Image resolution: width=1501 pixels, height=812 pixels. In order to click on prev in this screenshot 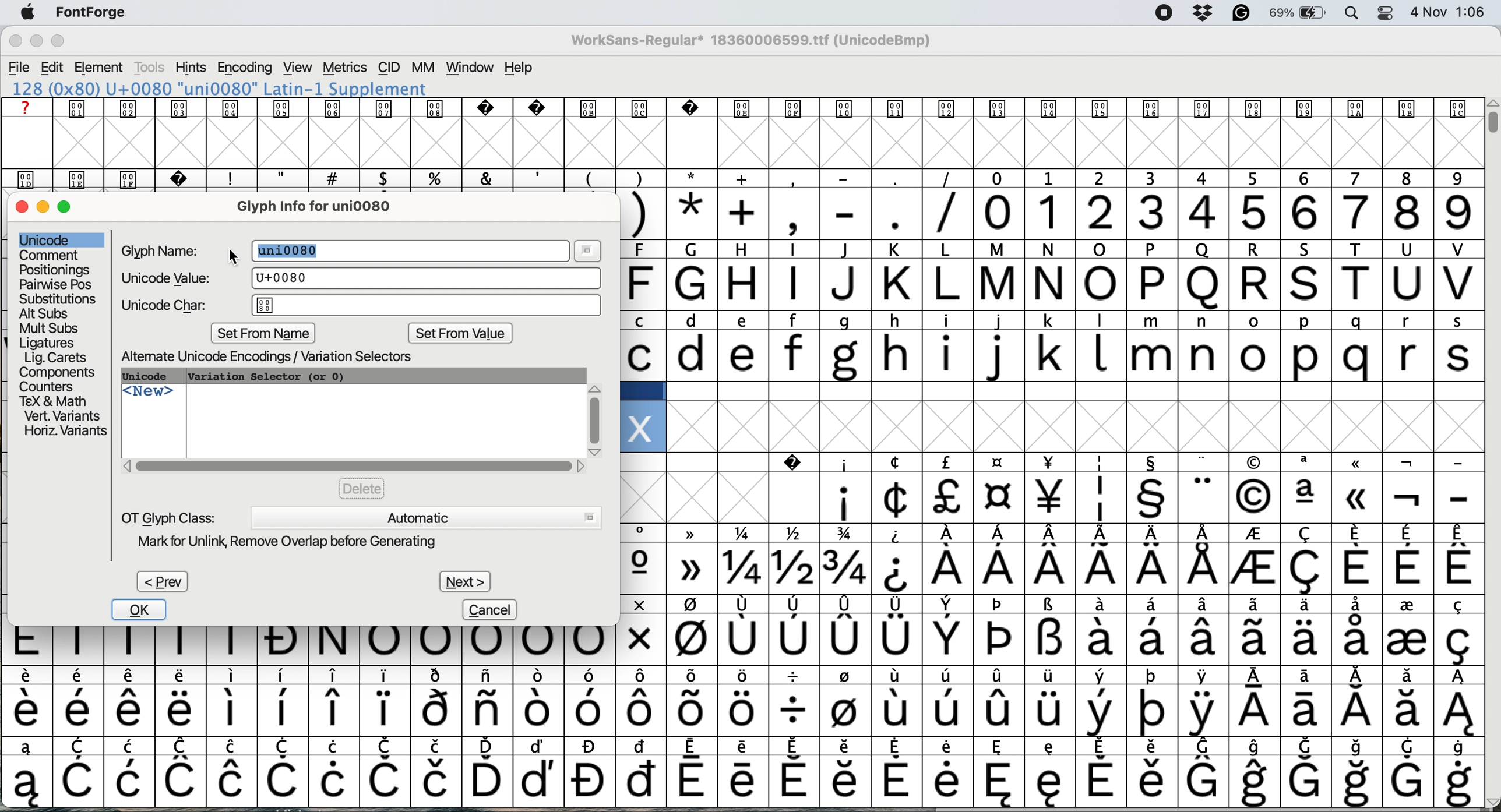, I will do `click(161, 581)`.